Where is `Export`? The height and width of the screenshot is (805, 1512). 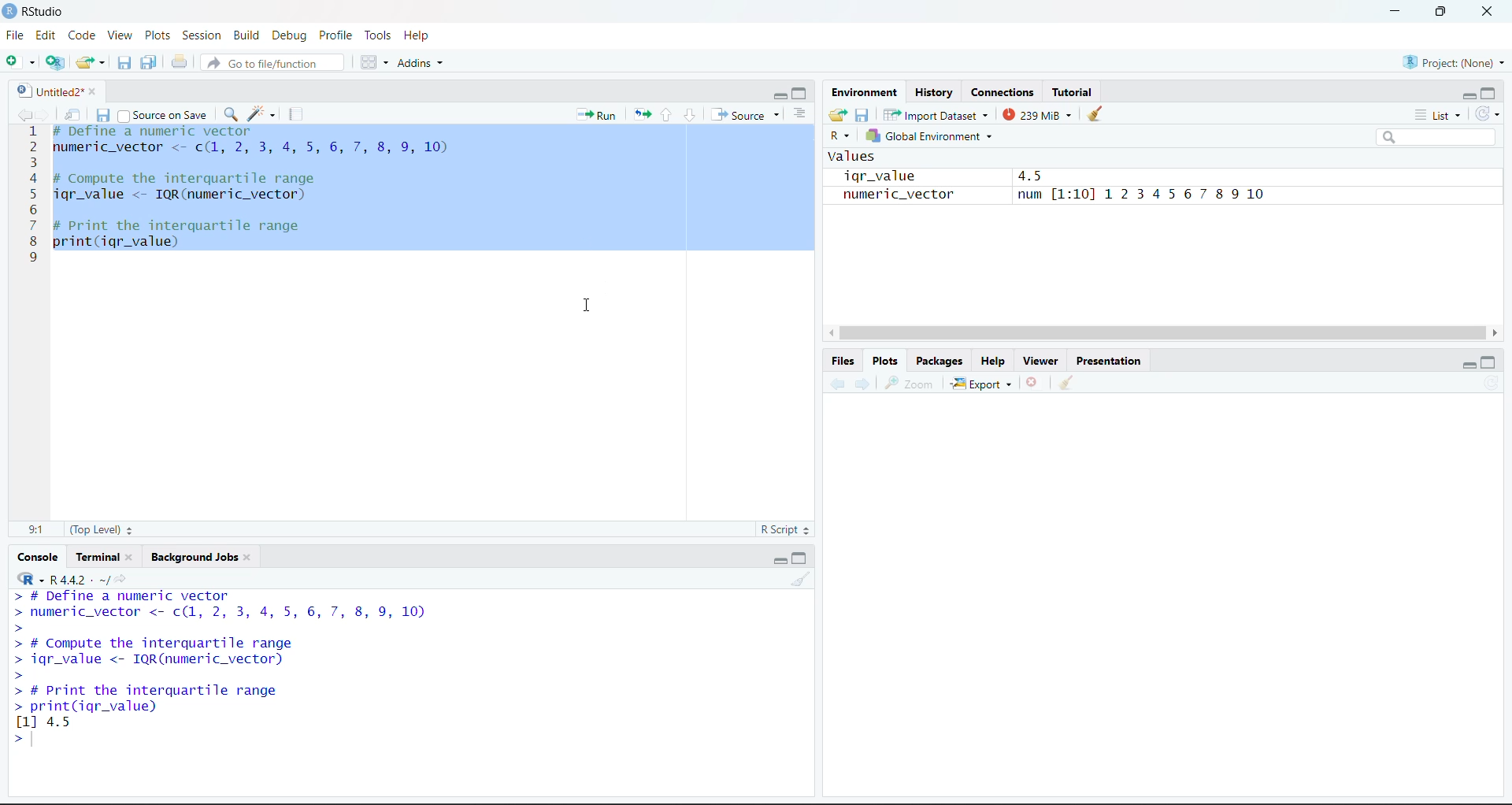 Export is located at coordinates (984, 384).